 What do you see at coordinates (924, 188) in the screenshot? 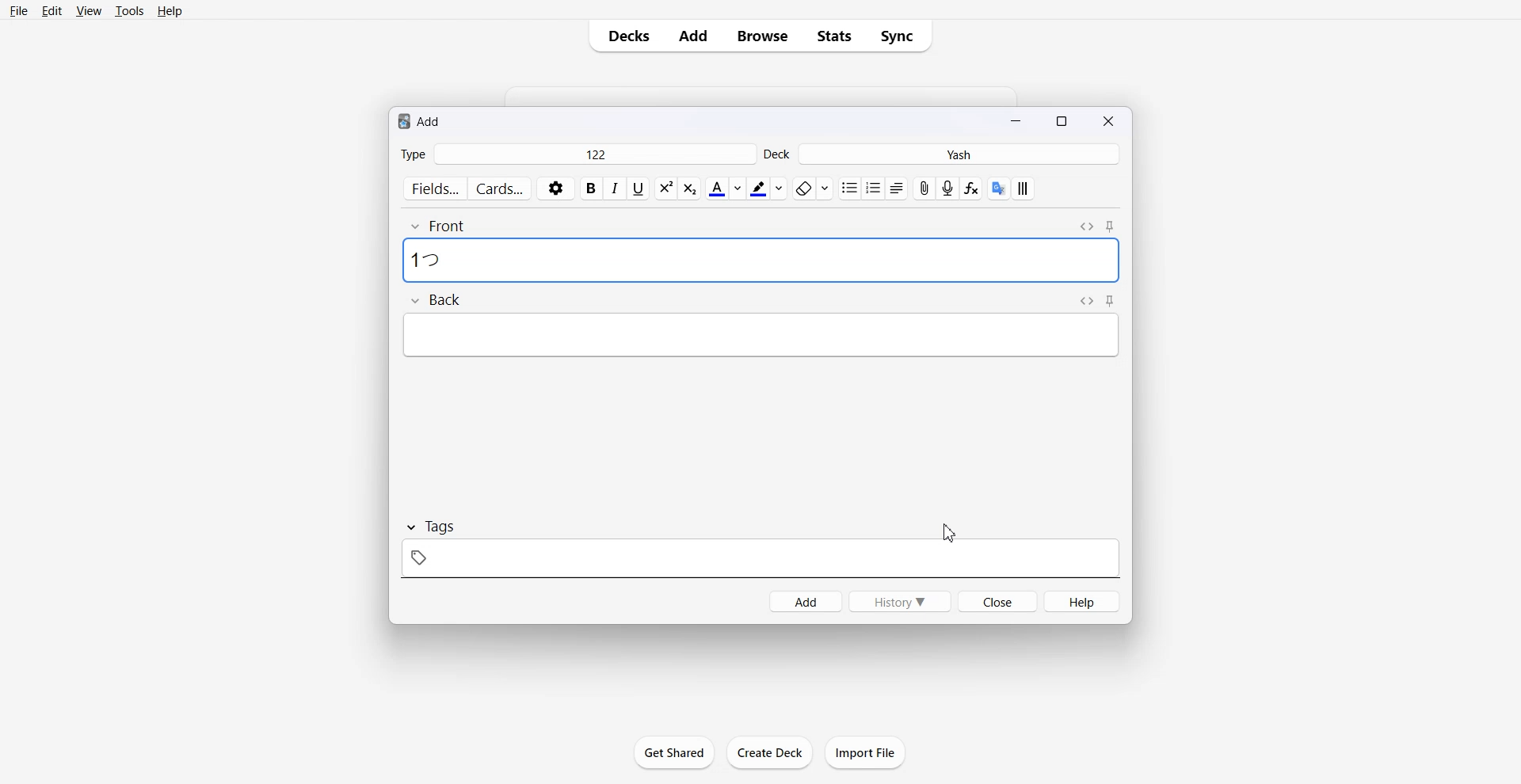
I see `Attach File` at bounding box center [924, 188].